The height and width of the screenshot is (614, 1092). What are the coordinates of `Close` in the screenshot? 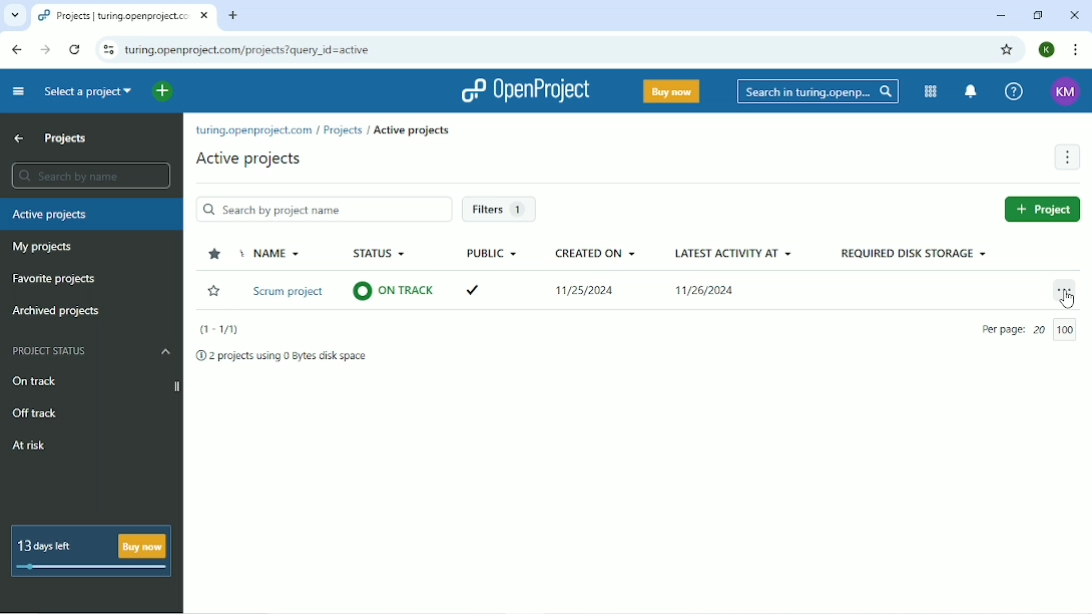 It's located at (1074, 15).